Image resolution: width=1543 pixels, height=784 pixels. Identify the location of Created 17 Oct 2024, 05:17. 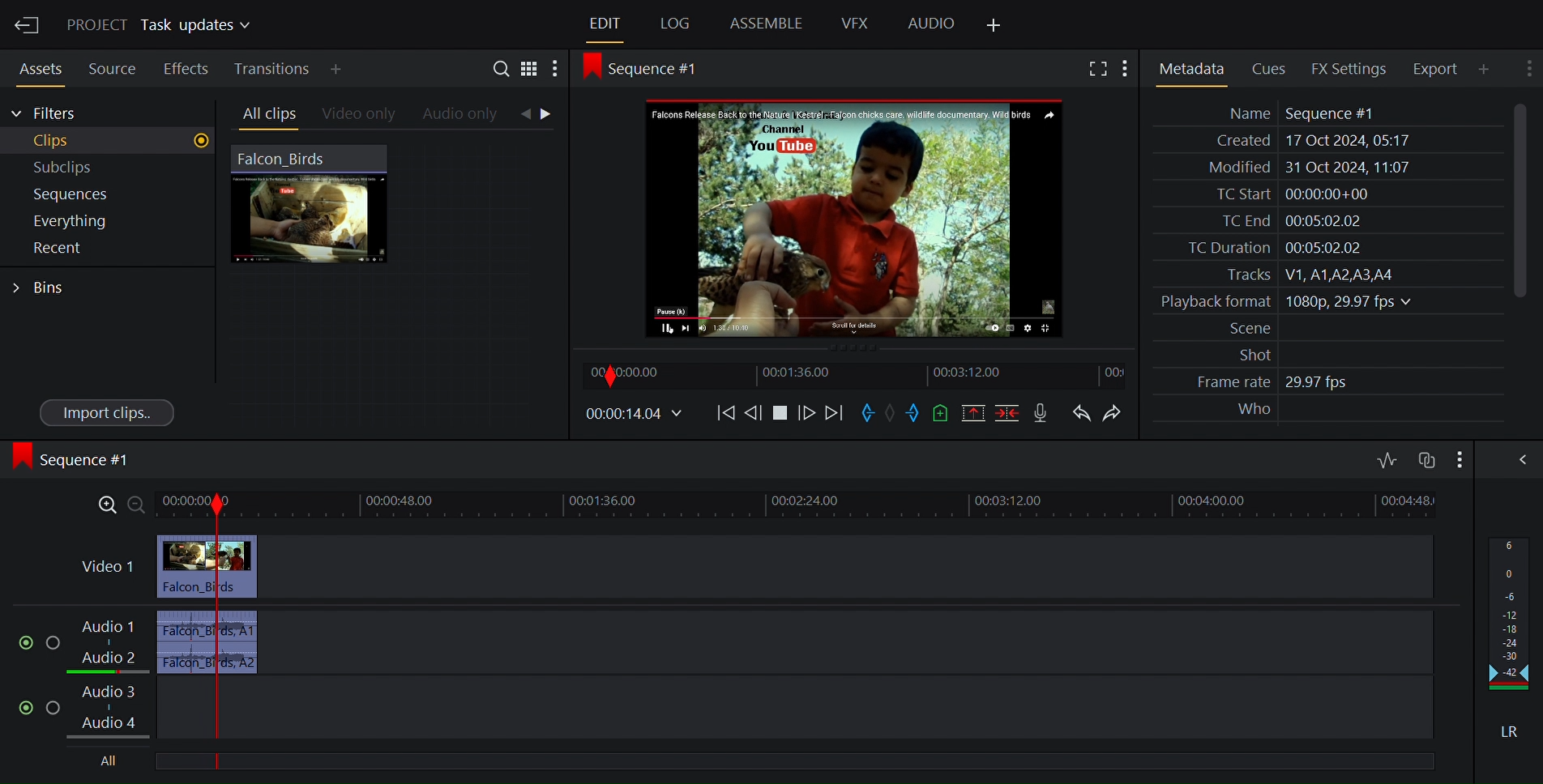
(1306, 141).